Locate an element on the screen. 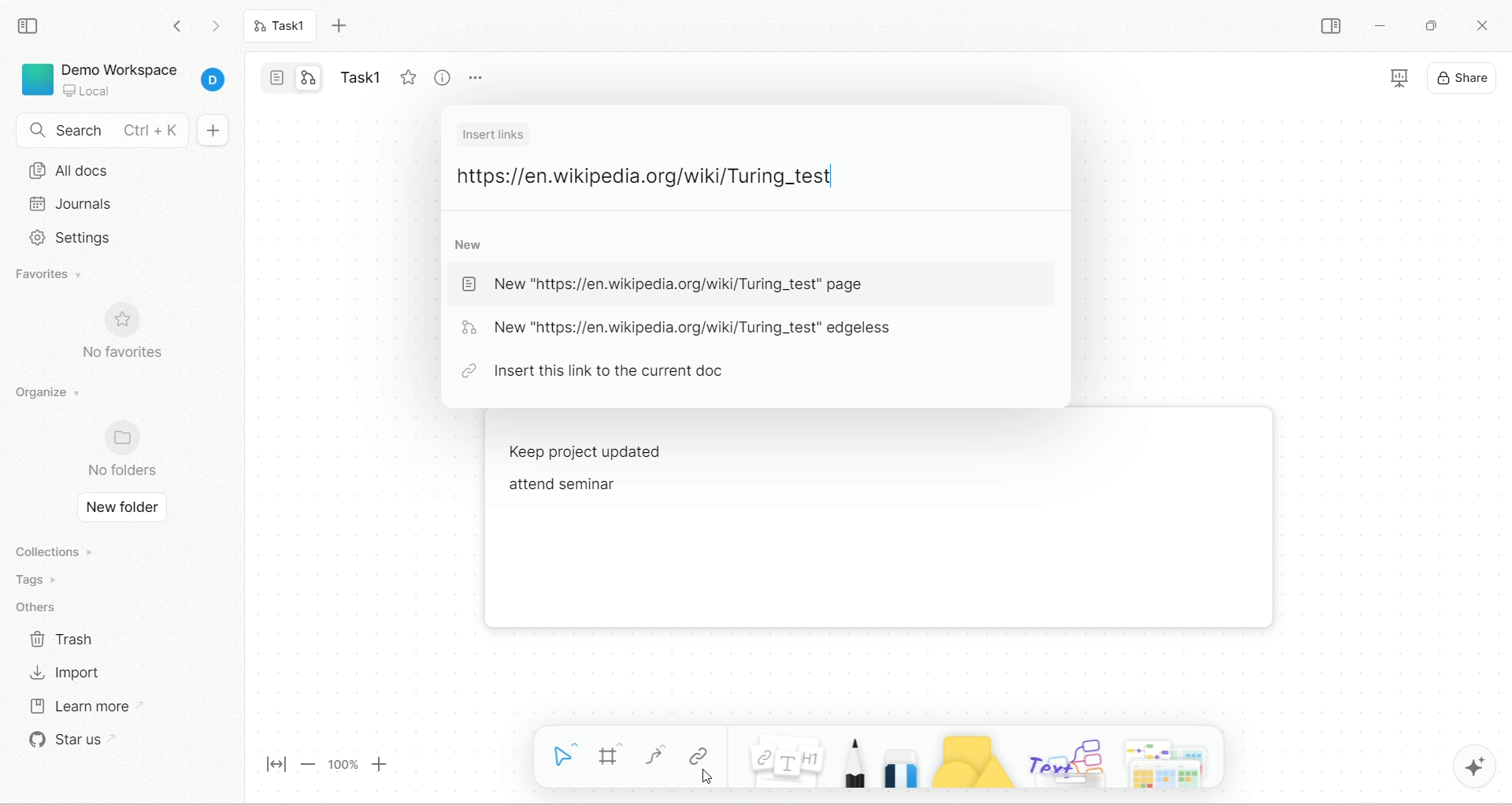 The height and width of the screenshot is (805, 1512). go backward is located at coordinates (176, 24).